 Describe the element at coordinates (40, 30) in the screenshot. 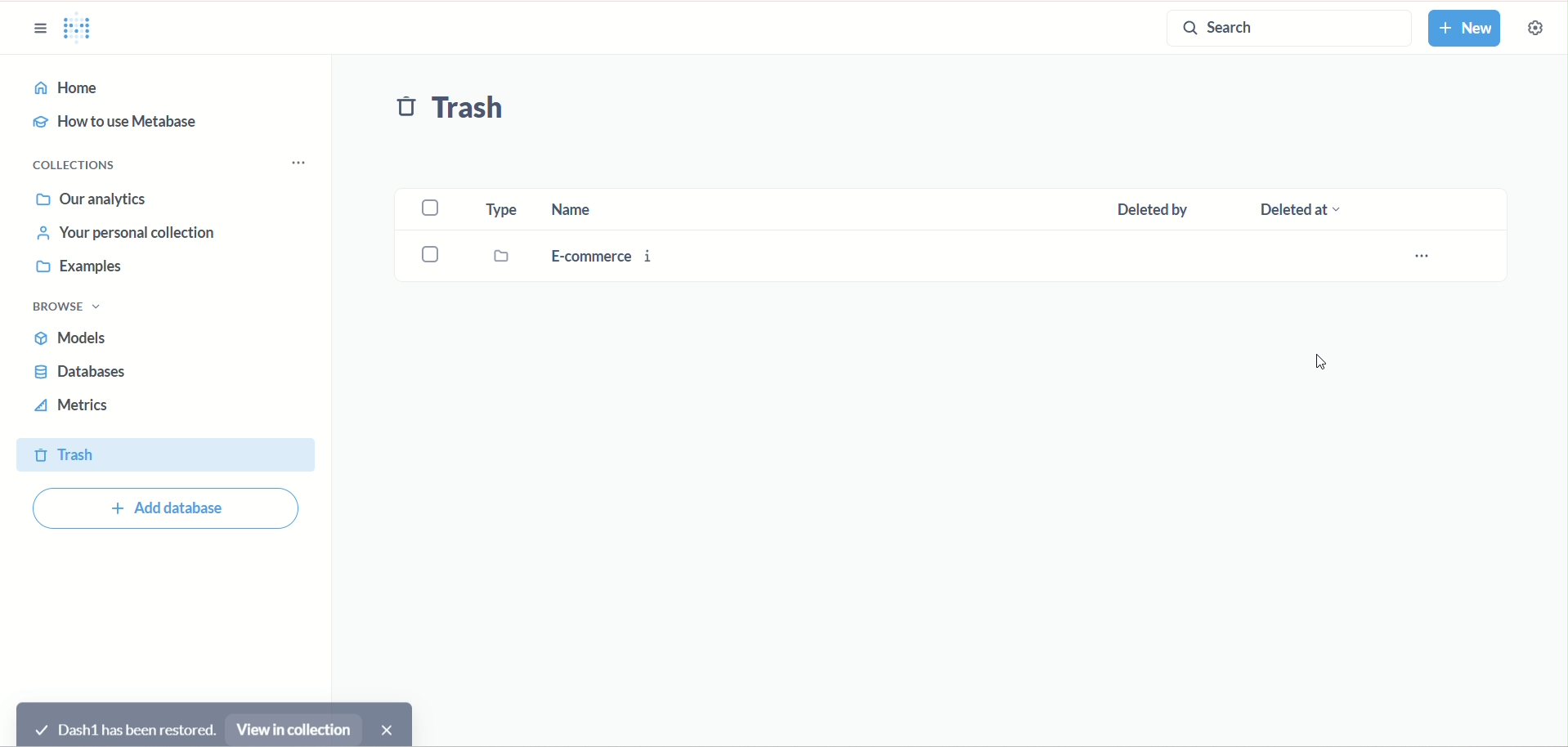

I see `sidebar` at that location.